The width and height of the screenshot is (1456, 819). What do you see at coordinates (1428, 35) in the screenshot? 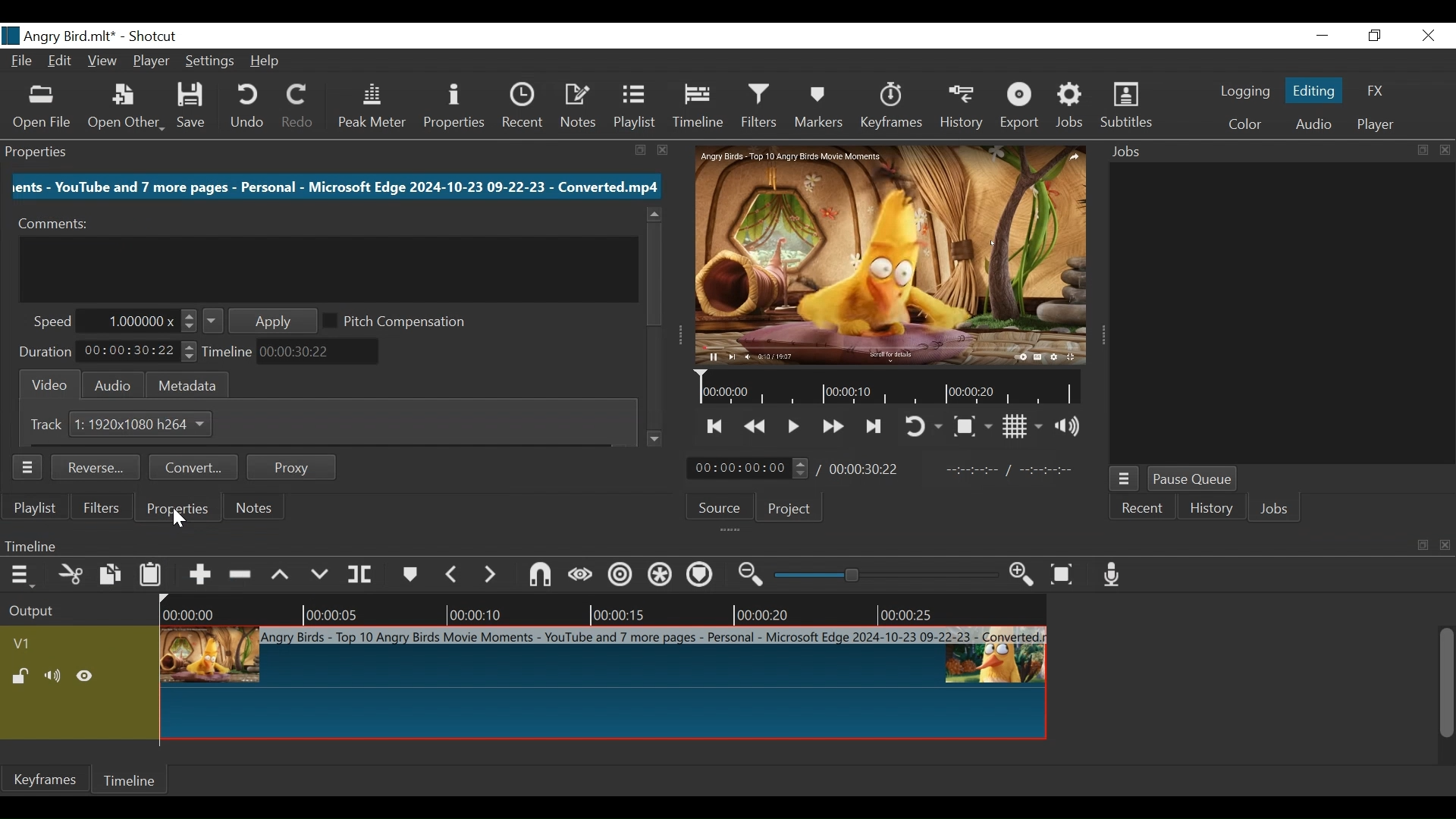
I see `Close` at bounding box center [1428, 35].